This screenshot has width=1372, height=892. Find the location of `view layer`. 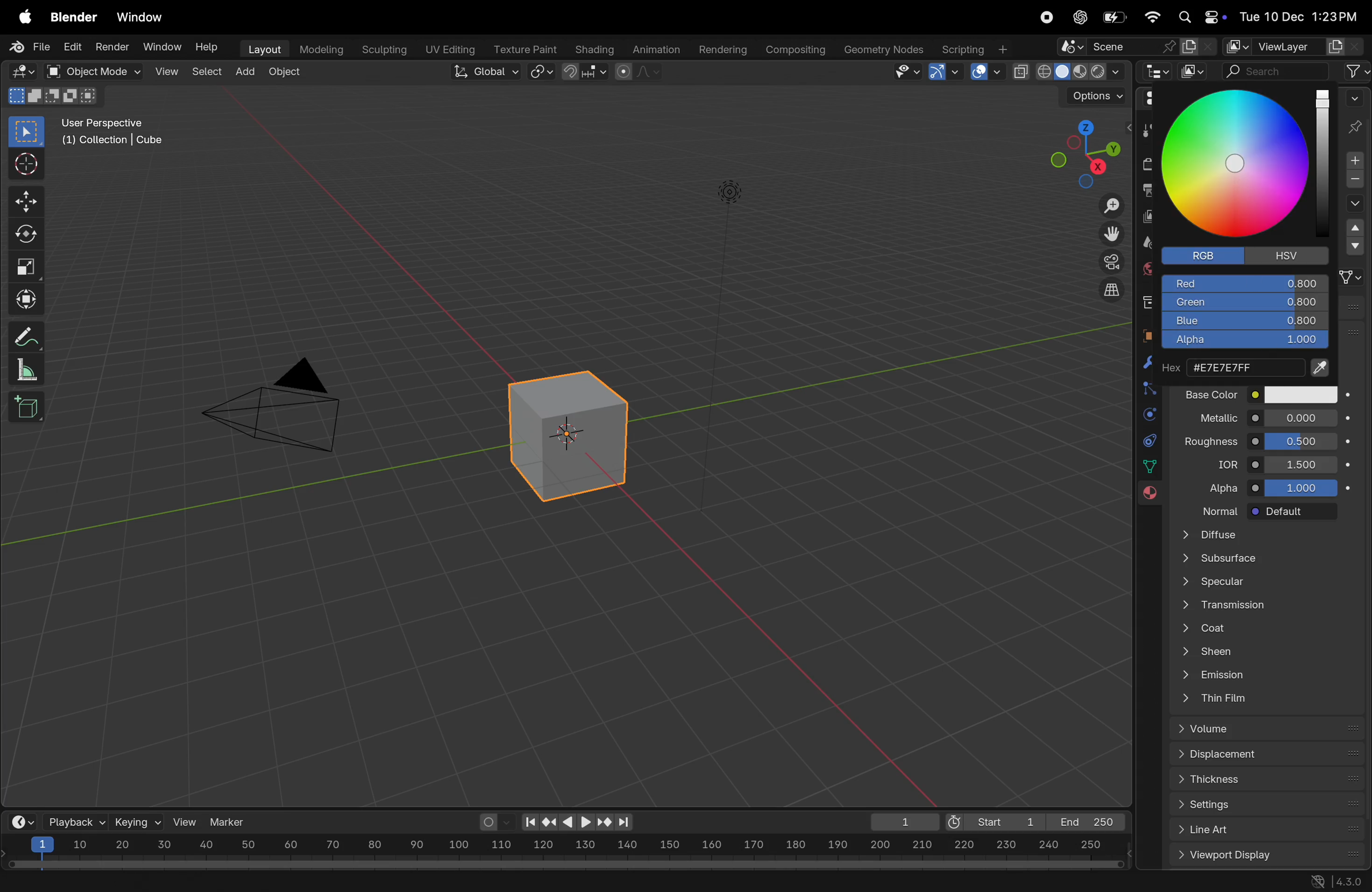

view layer is located at coordinates (1284, 44).